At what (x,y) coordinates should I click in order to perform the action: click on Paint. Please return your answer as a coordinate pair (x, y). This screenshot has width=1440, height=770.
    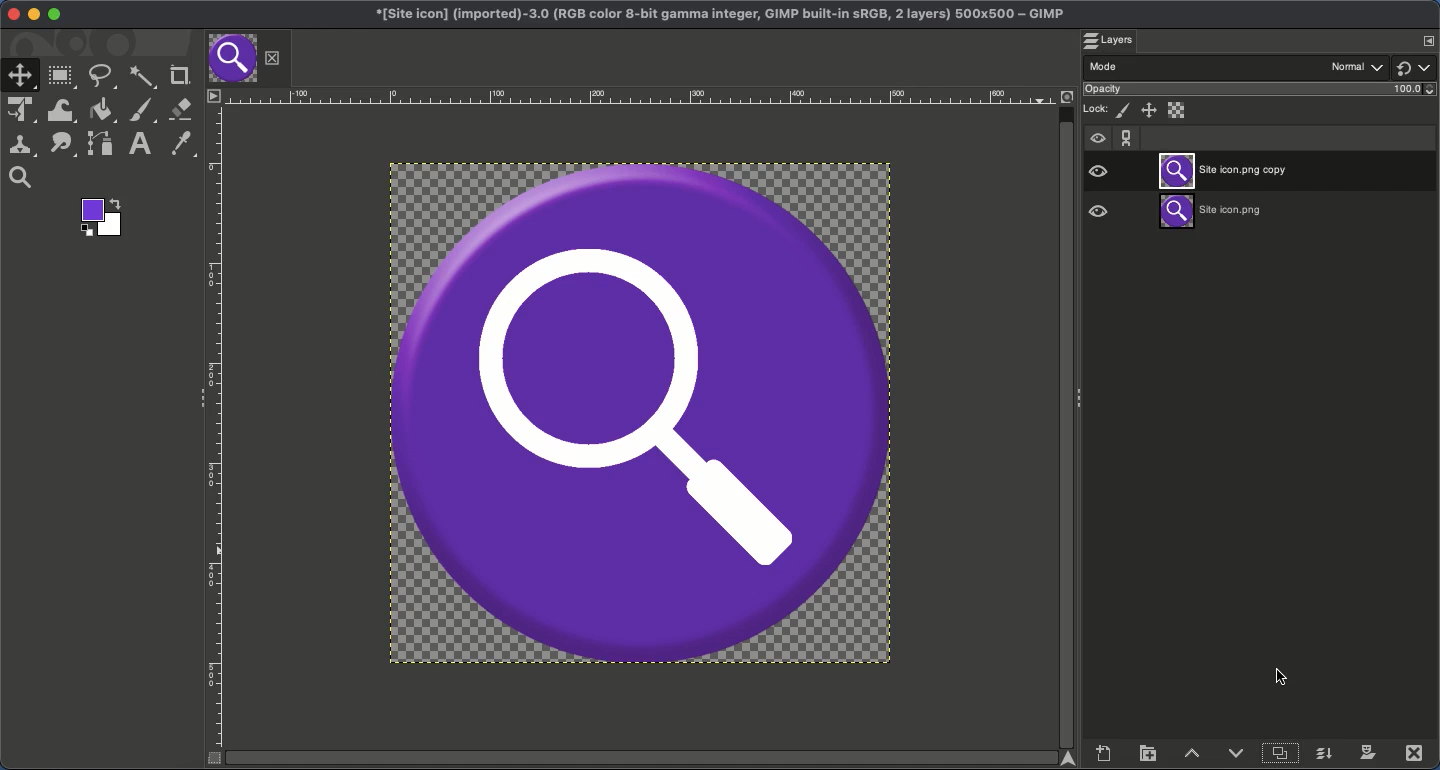
    Looking at the image, I should click on (142, 111).